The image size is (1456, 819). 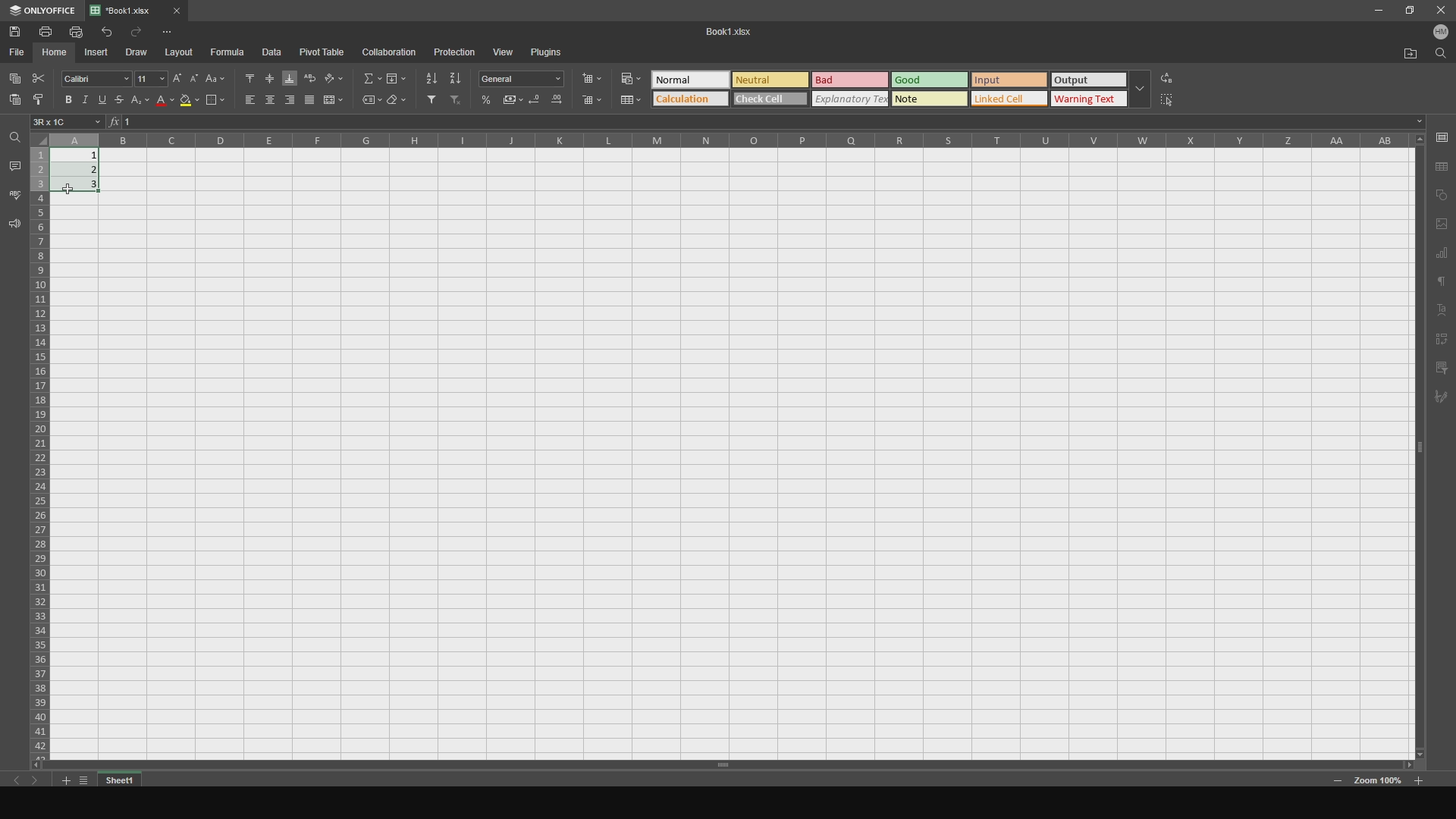 I want to click on plugins, so click(x=554, y=53).